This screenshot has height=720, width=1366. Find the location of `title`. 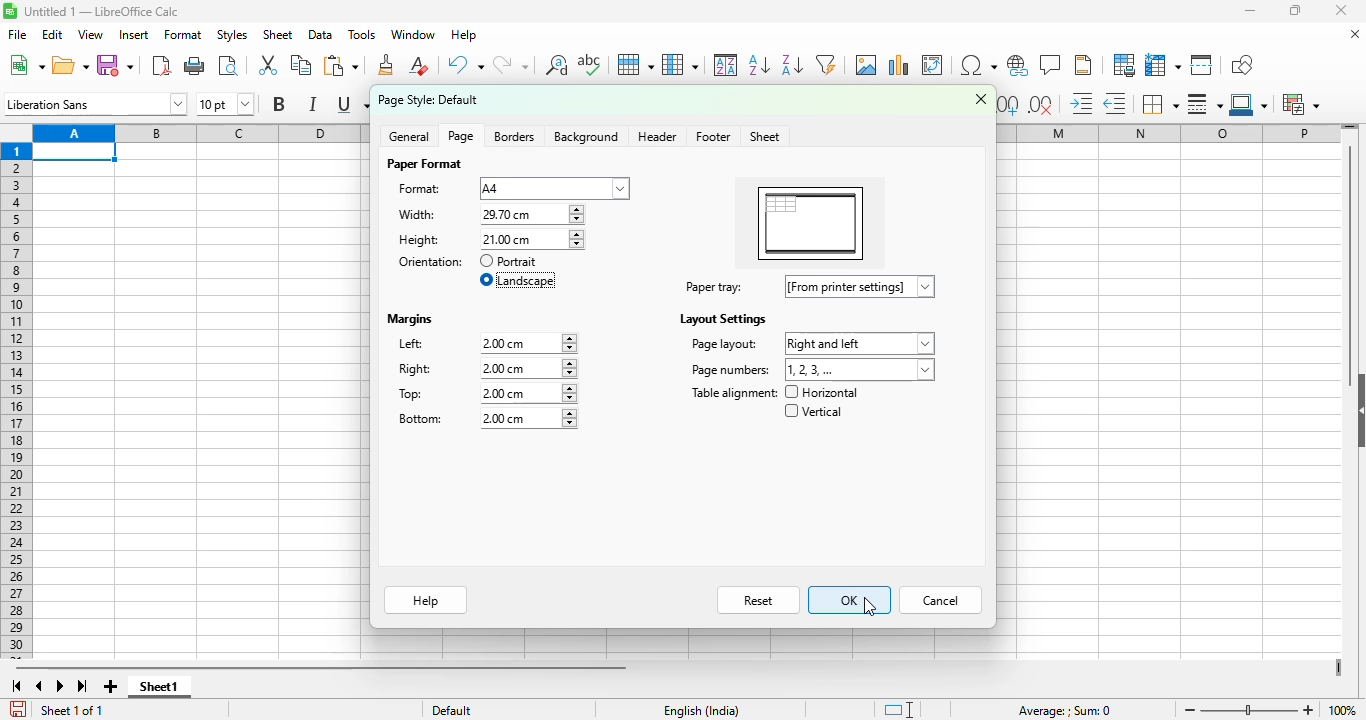

title is located at coordinates (102, 11).